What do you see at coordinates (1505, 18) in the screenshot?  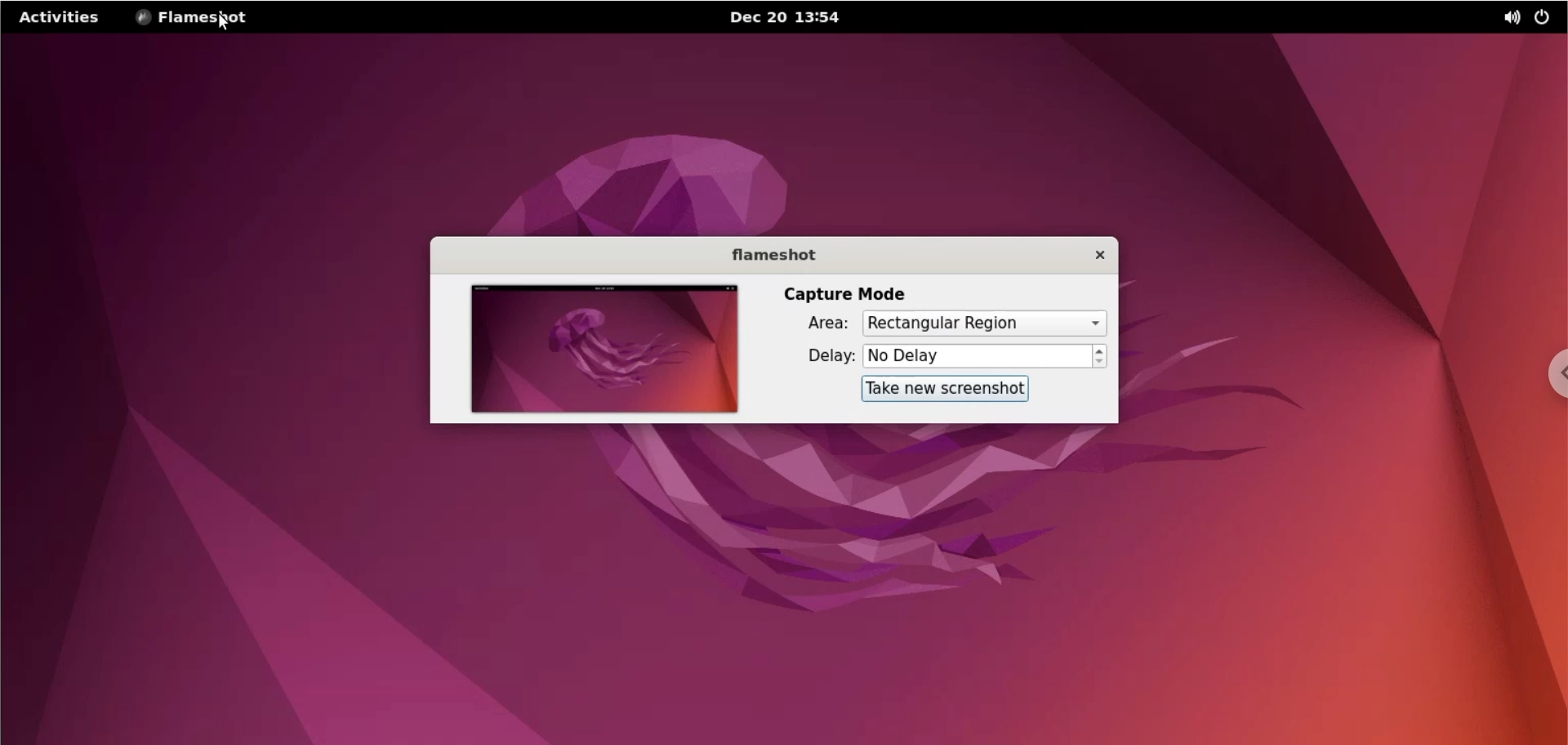 I see `sound options` at bounding box center [1505, 18].